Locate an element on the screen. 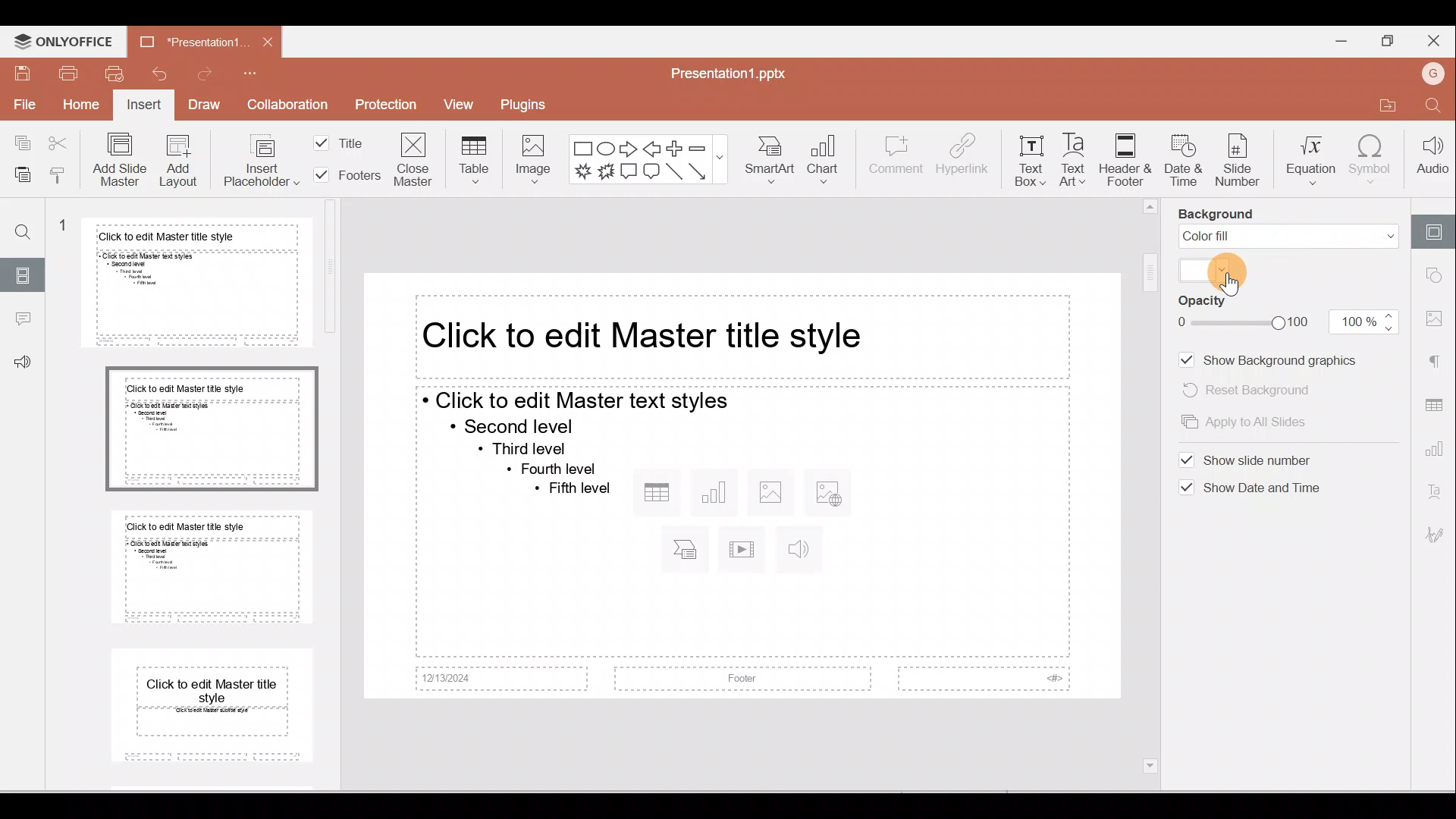 The height and width of the screenshot is (819, 1456). Paragraph settings is located at coordinates (1437, 359).